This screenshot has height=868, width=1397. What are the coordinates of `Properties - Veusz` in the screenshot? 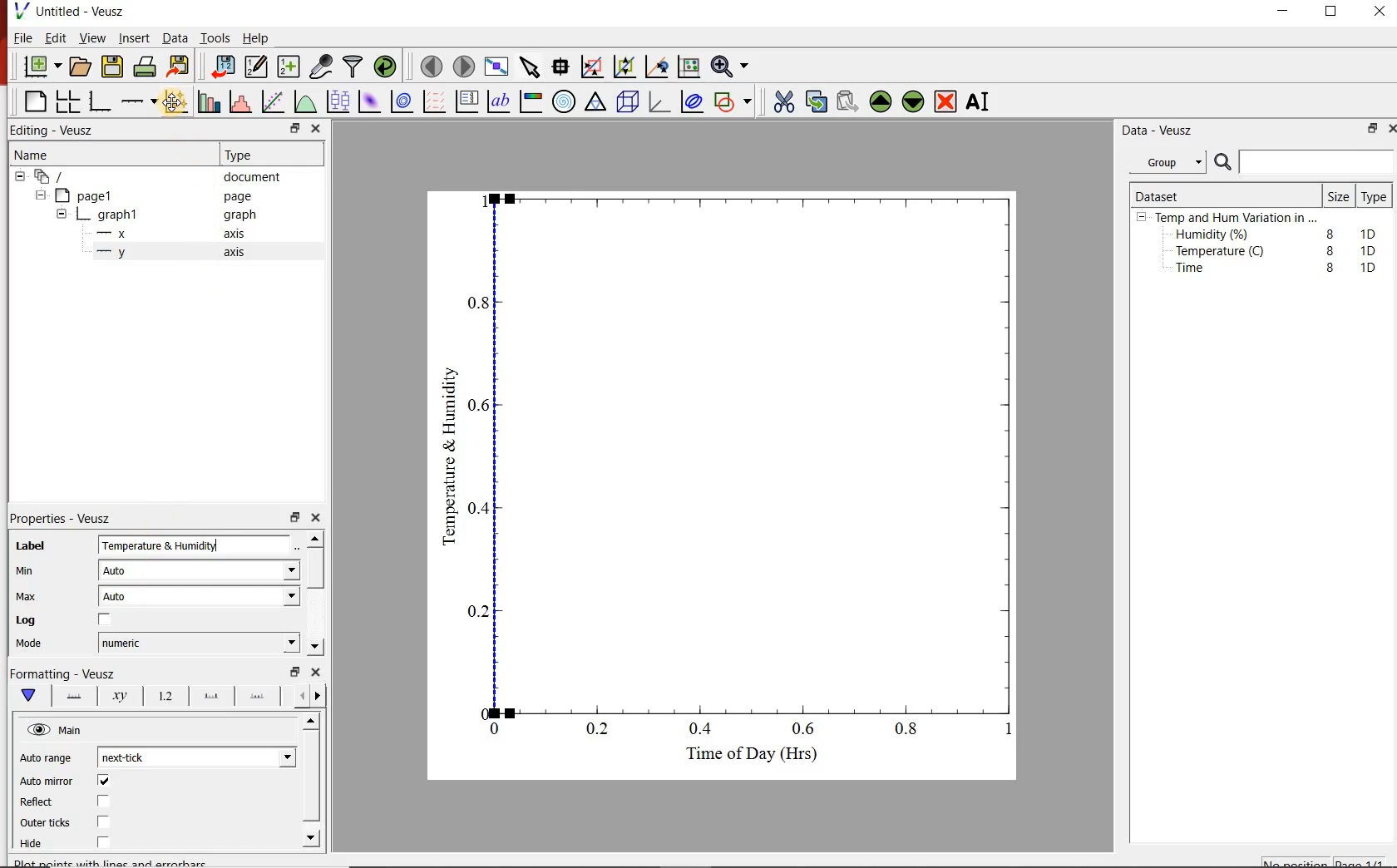 It's located at (69, 515).